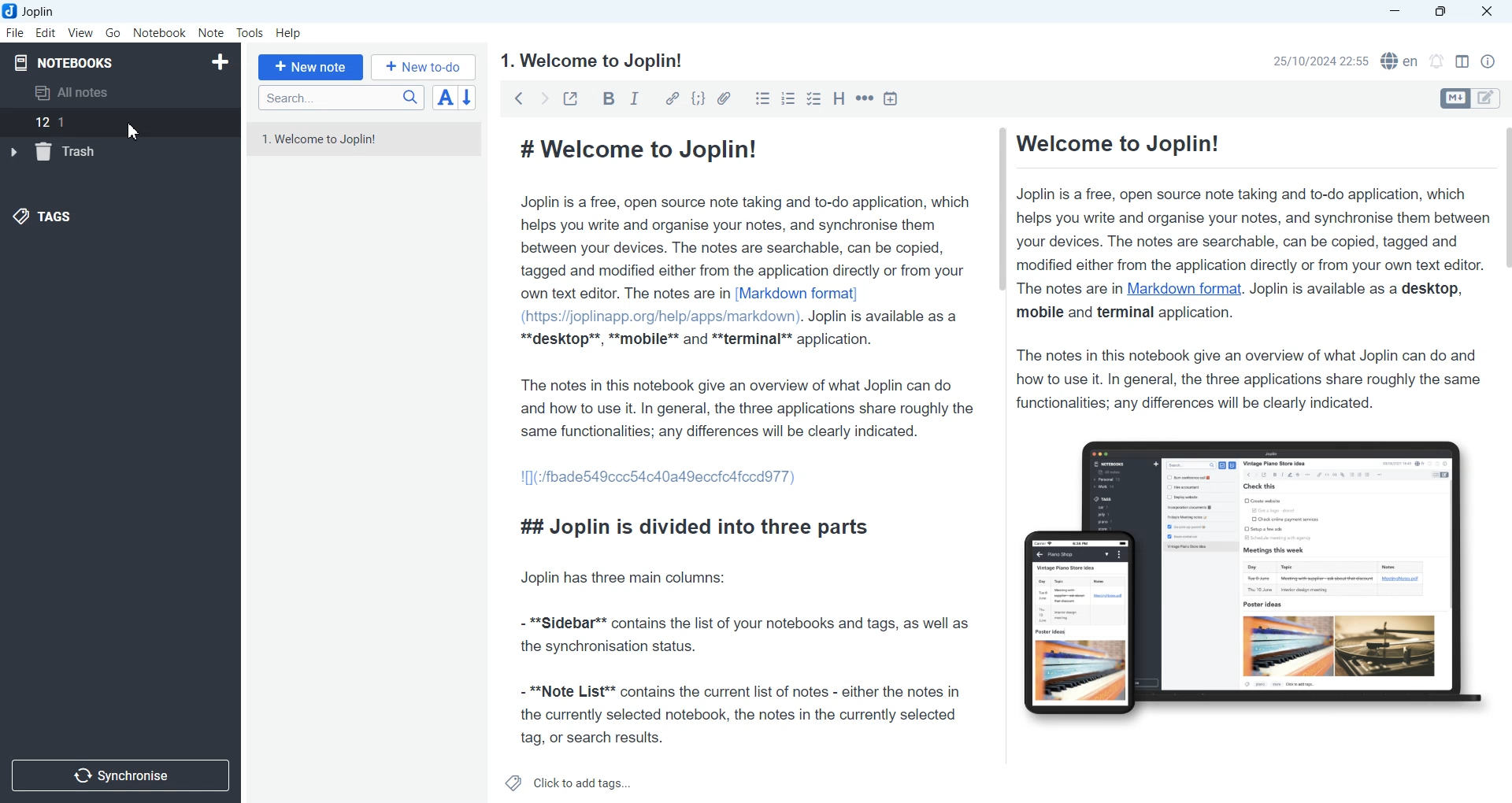 The image size is (1512, 803). I want to click on All notes, so click(120, 92).